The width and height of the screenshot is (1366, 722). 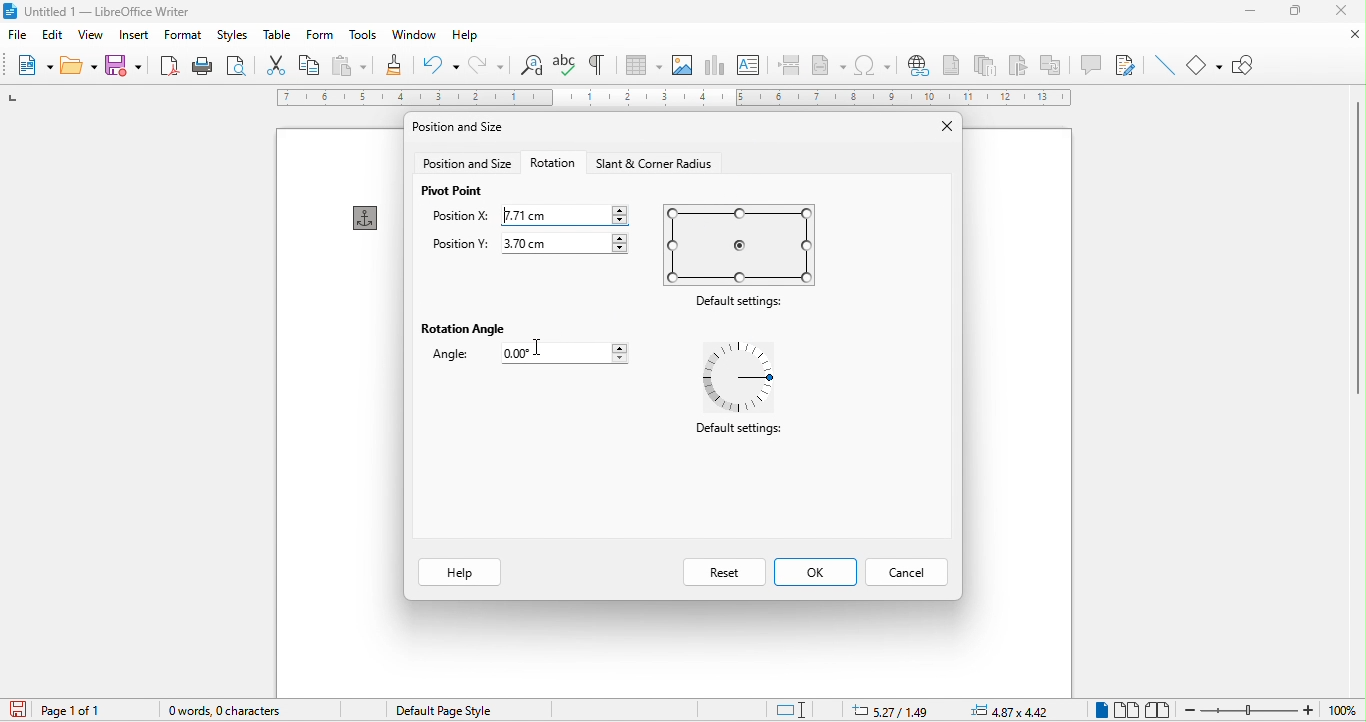 What do you see at coordinates (887, 710) in the screenshot?
I see `5.27/1.49` at bounding box center [887, 710].